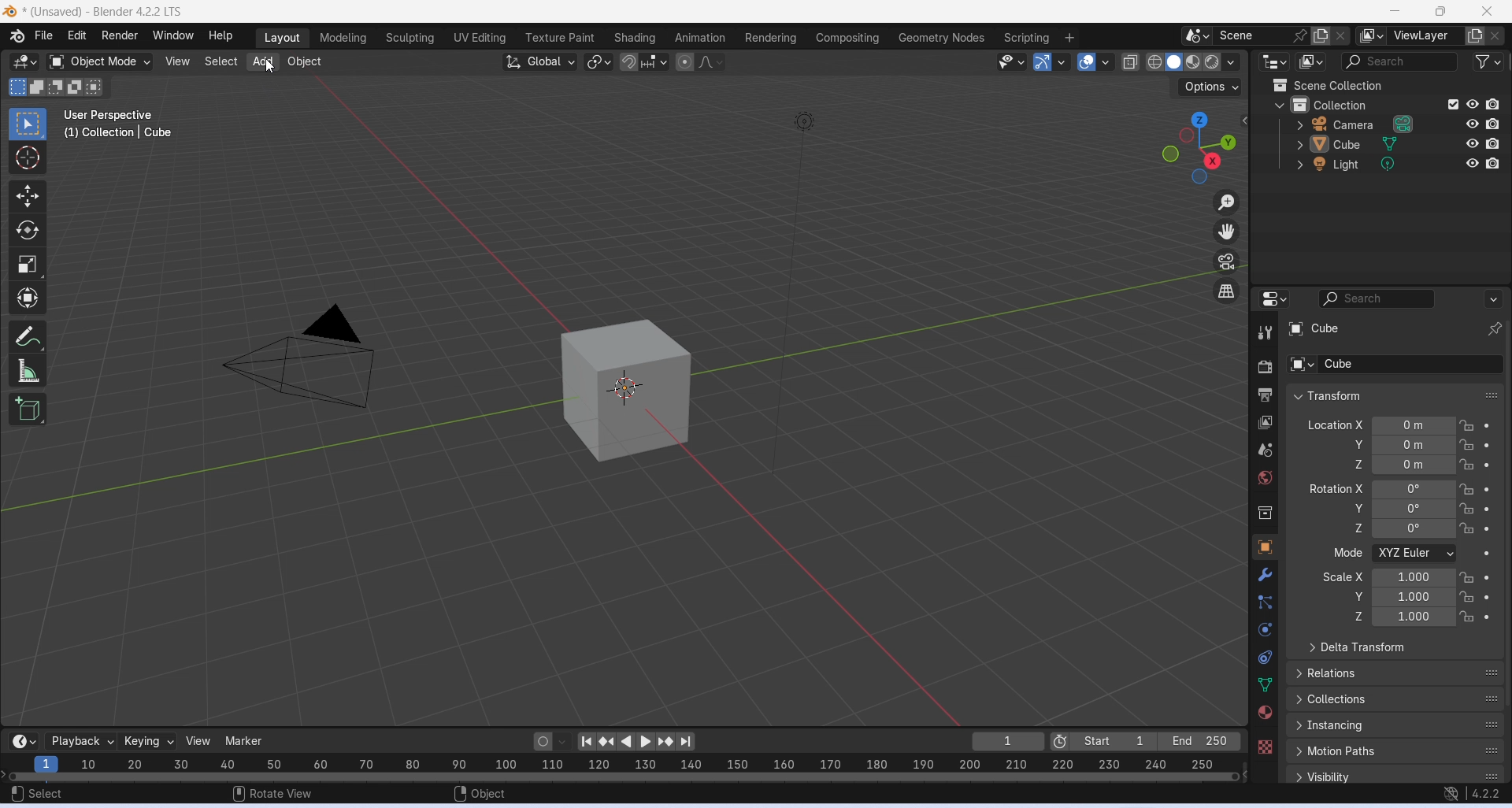  Describe the element at coordinates (1212, 87) in the screenshot. I see `options` at that location.